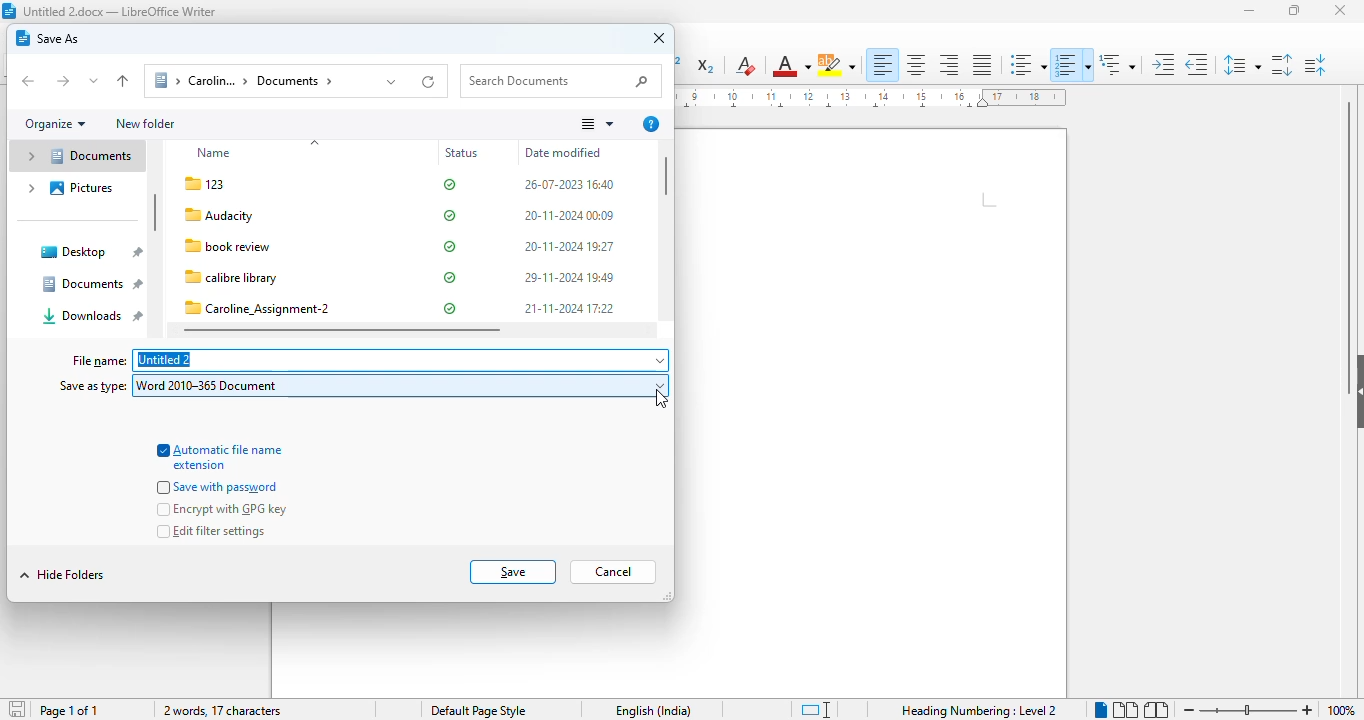  What do you see at coordinates (1294, 9) in the screenshot?
I see `maximize` at bounding box center [1294, 9].